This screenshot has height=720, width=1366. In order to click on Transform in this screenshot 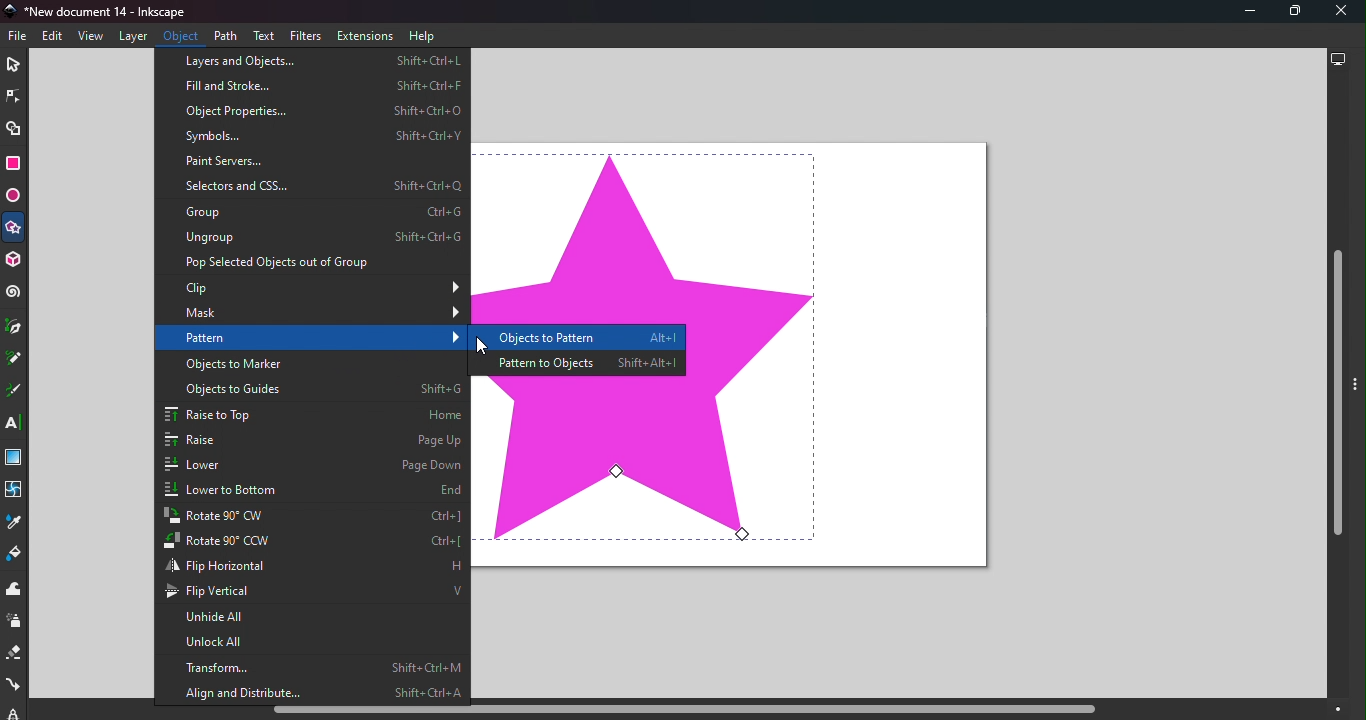, I will do `click(312, 669)`.